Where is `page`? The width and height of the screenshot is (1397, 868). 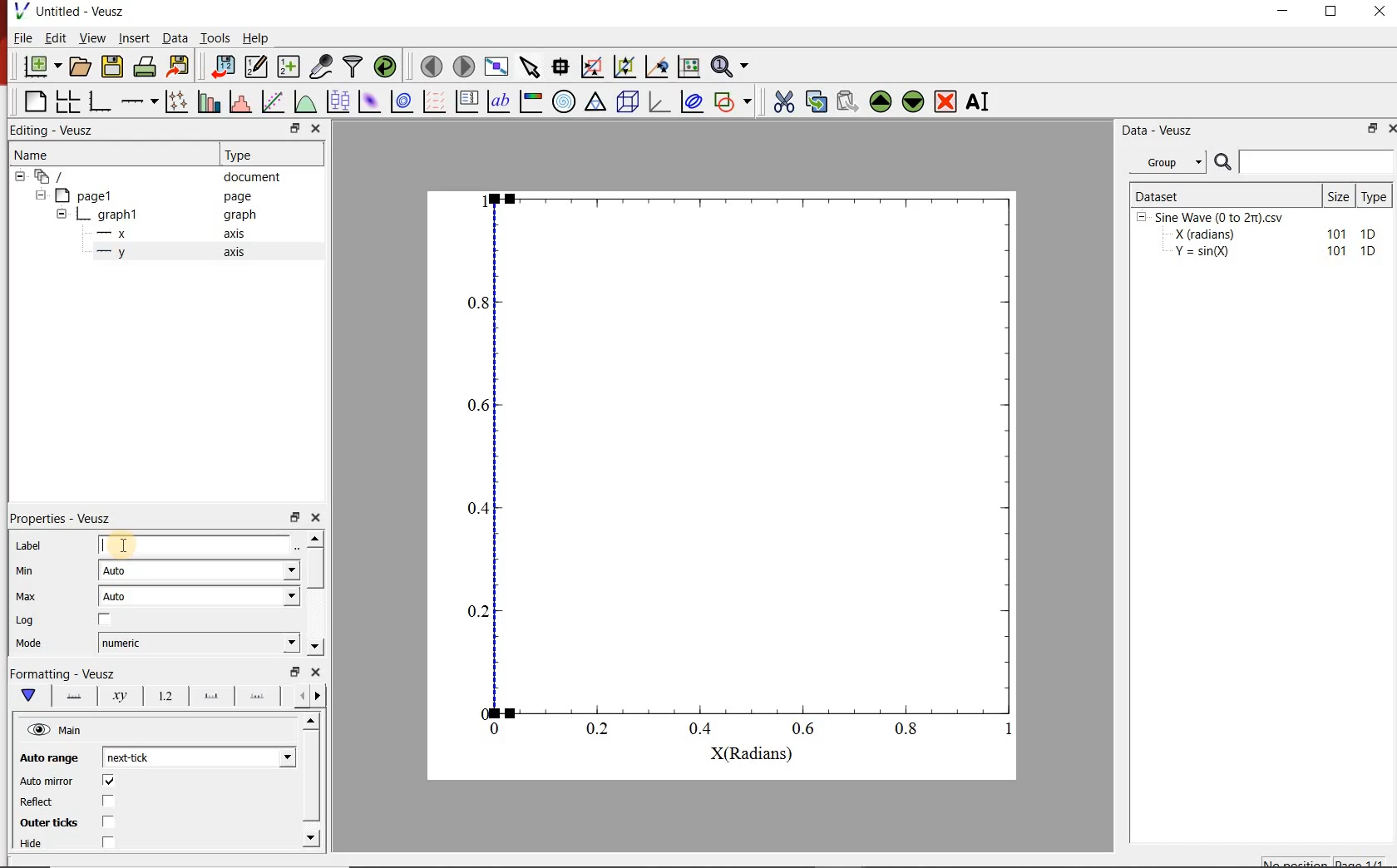
page is located at coordinates (238, 197).